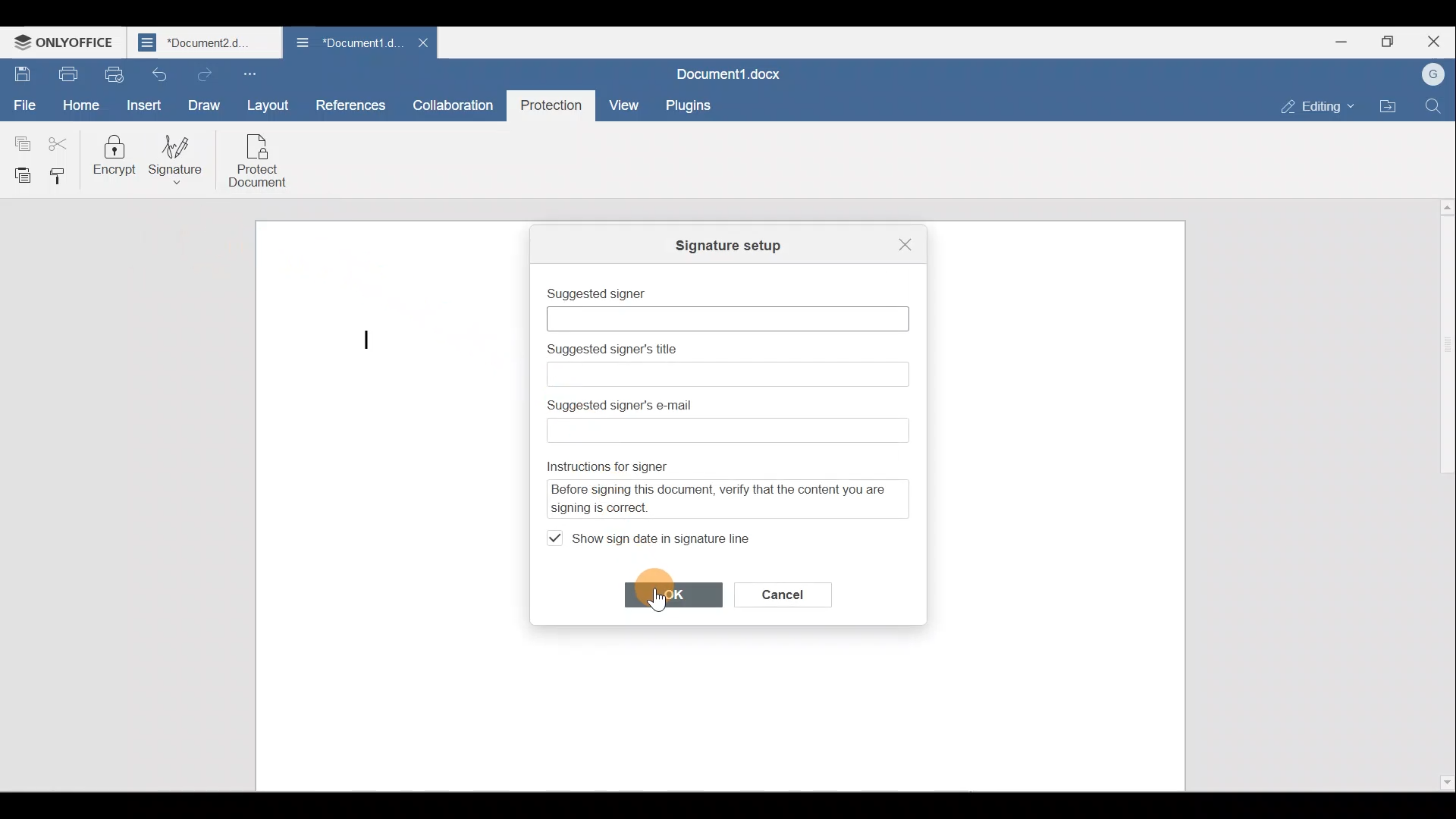 The width and height of the screenshot is (1456, 819). What do you see at coordinates (792, 594) in the screenshot?
I see `Cancel` at bounding box center [792, 594].